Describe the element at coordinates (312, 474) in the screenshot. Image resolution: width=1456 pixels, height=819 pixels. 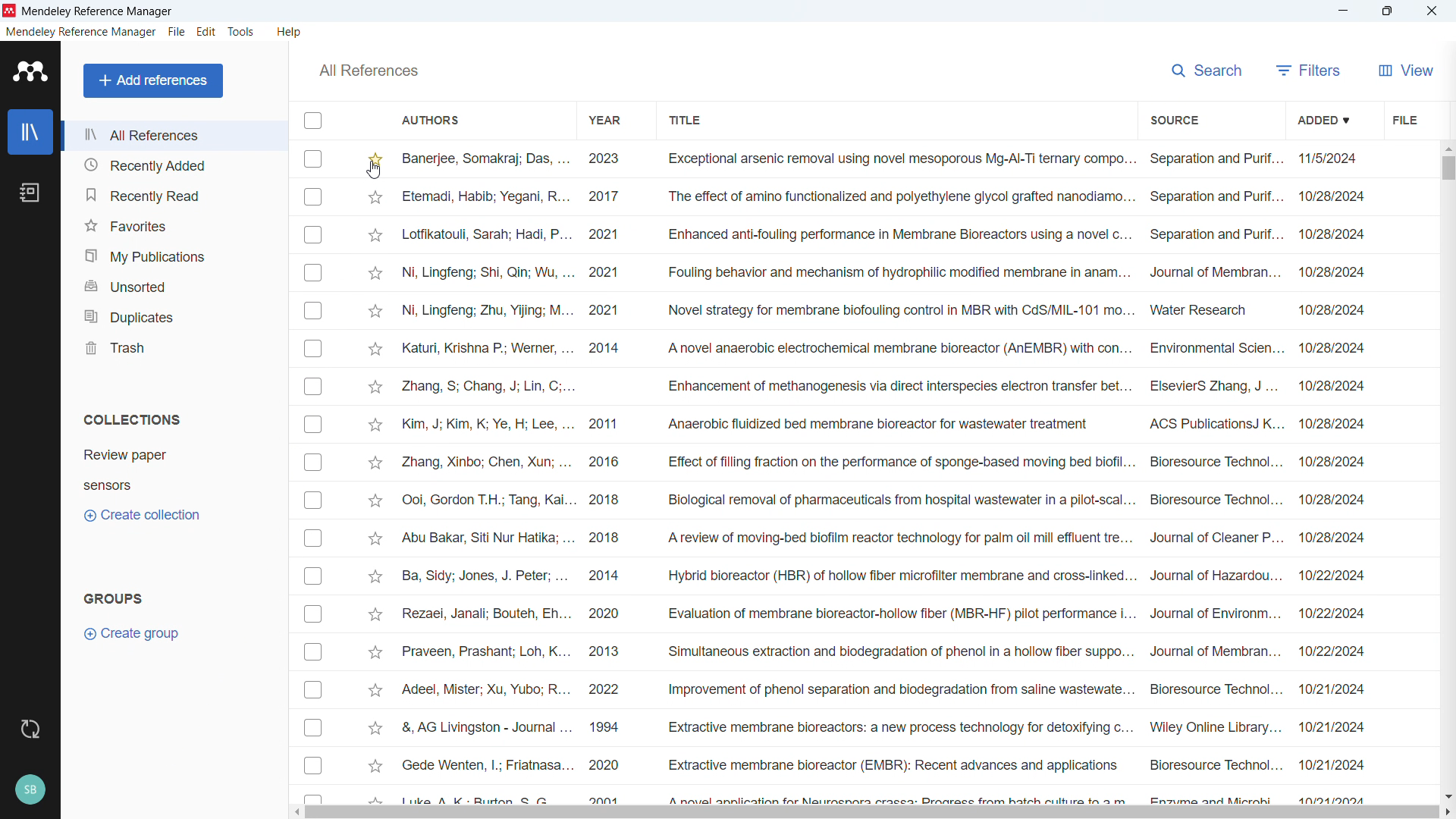
I see `Select individual entries ` at that location.